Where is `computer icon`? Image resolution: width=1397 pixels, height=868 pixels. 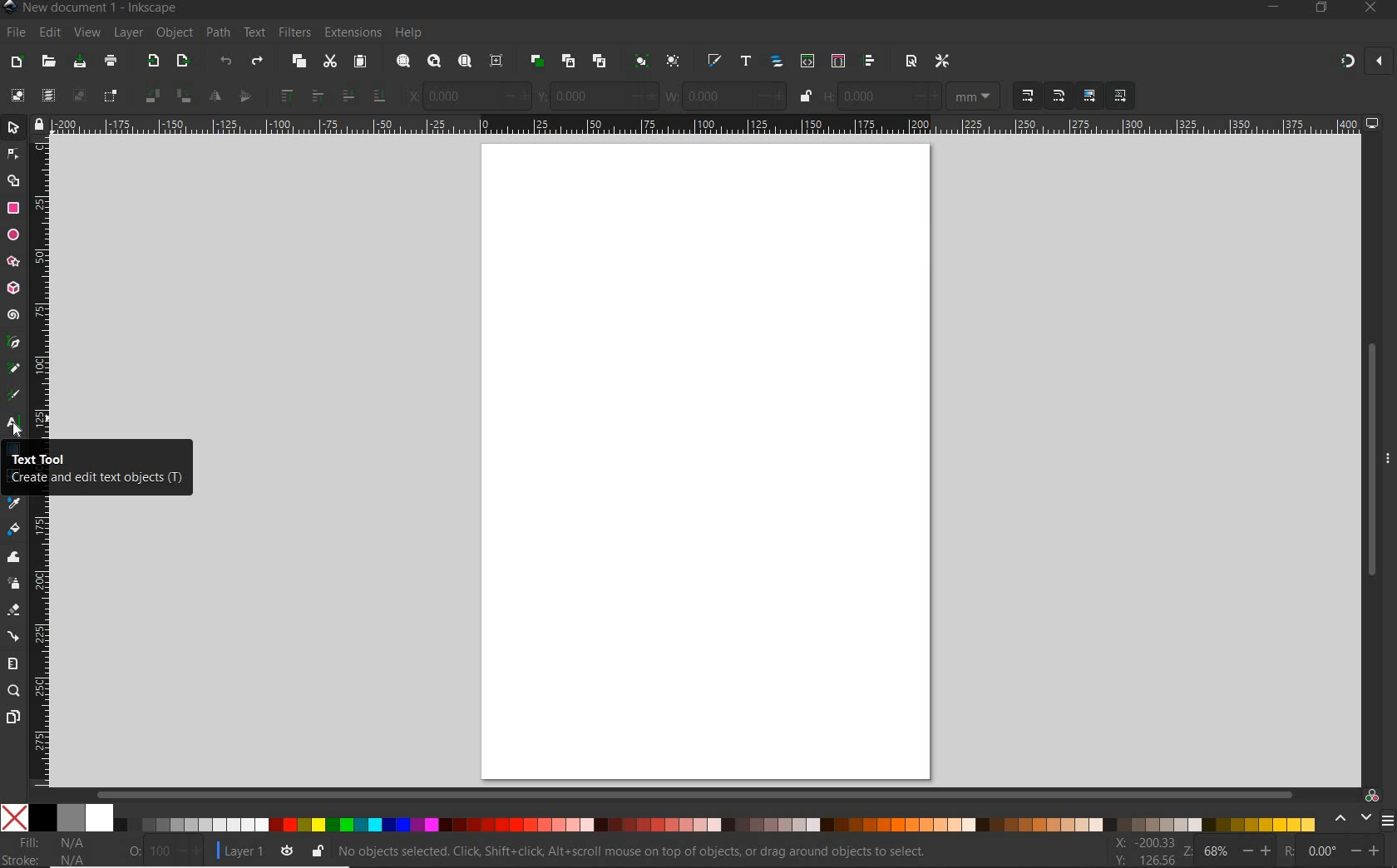 computer icon is located at coordinates (1373, 123).